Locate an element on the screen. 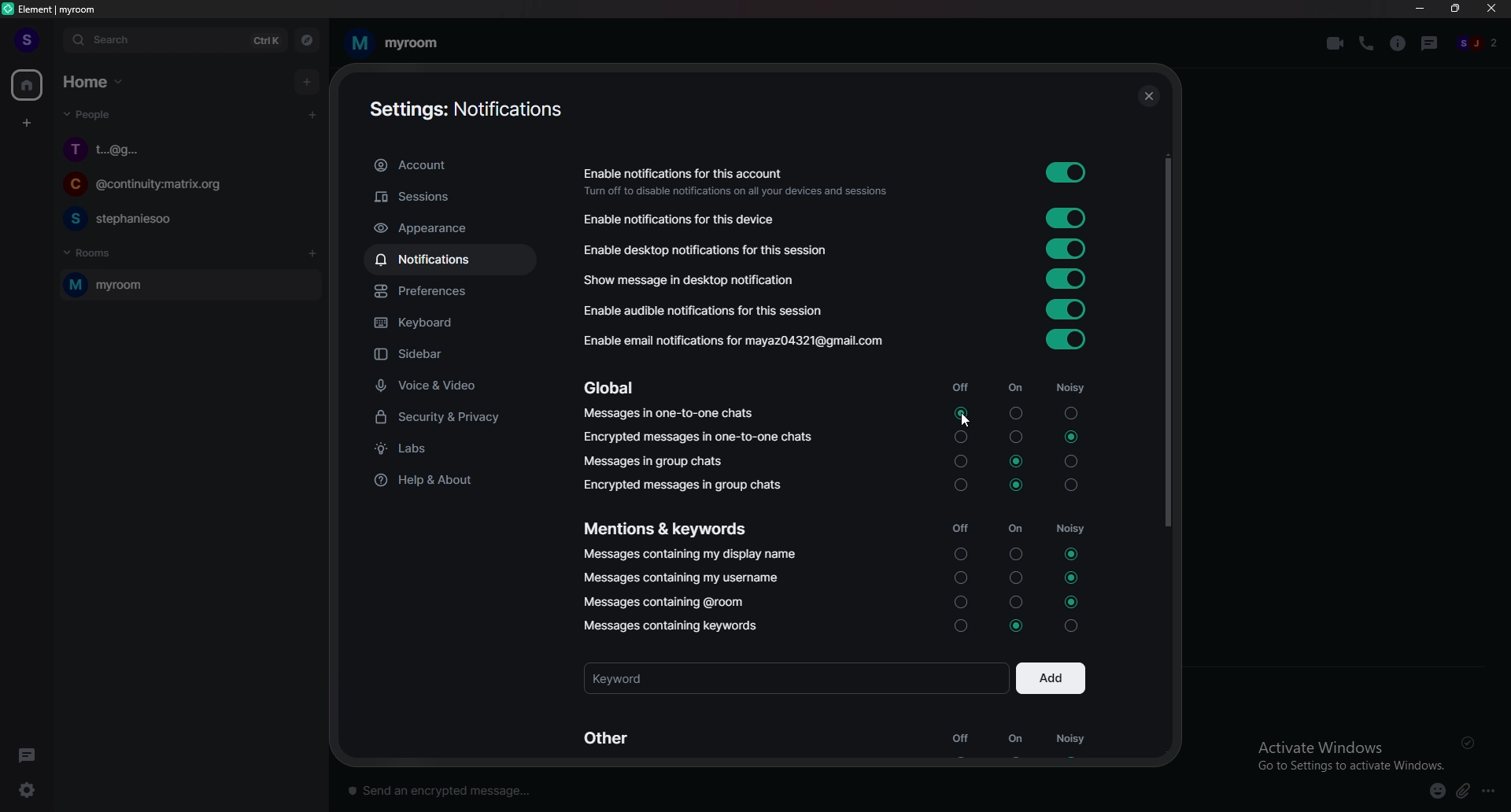  chat is located at coordinates (180, 219).